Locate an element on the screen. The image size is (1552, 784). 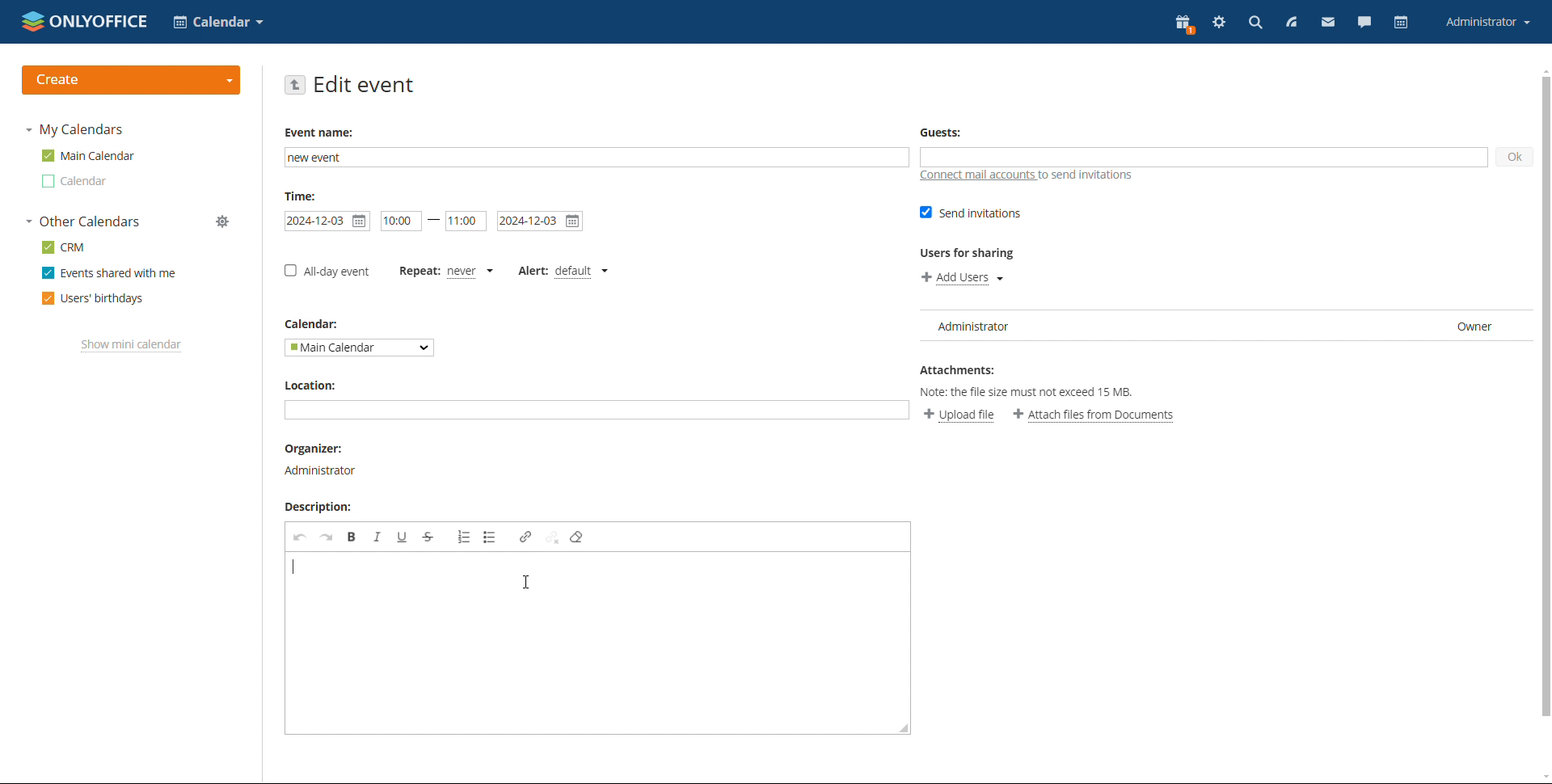
edit event is located at coordinates (365, 84).